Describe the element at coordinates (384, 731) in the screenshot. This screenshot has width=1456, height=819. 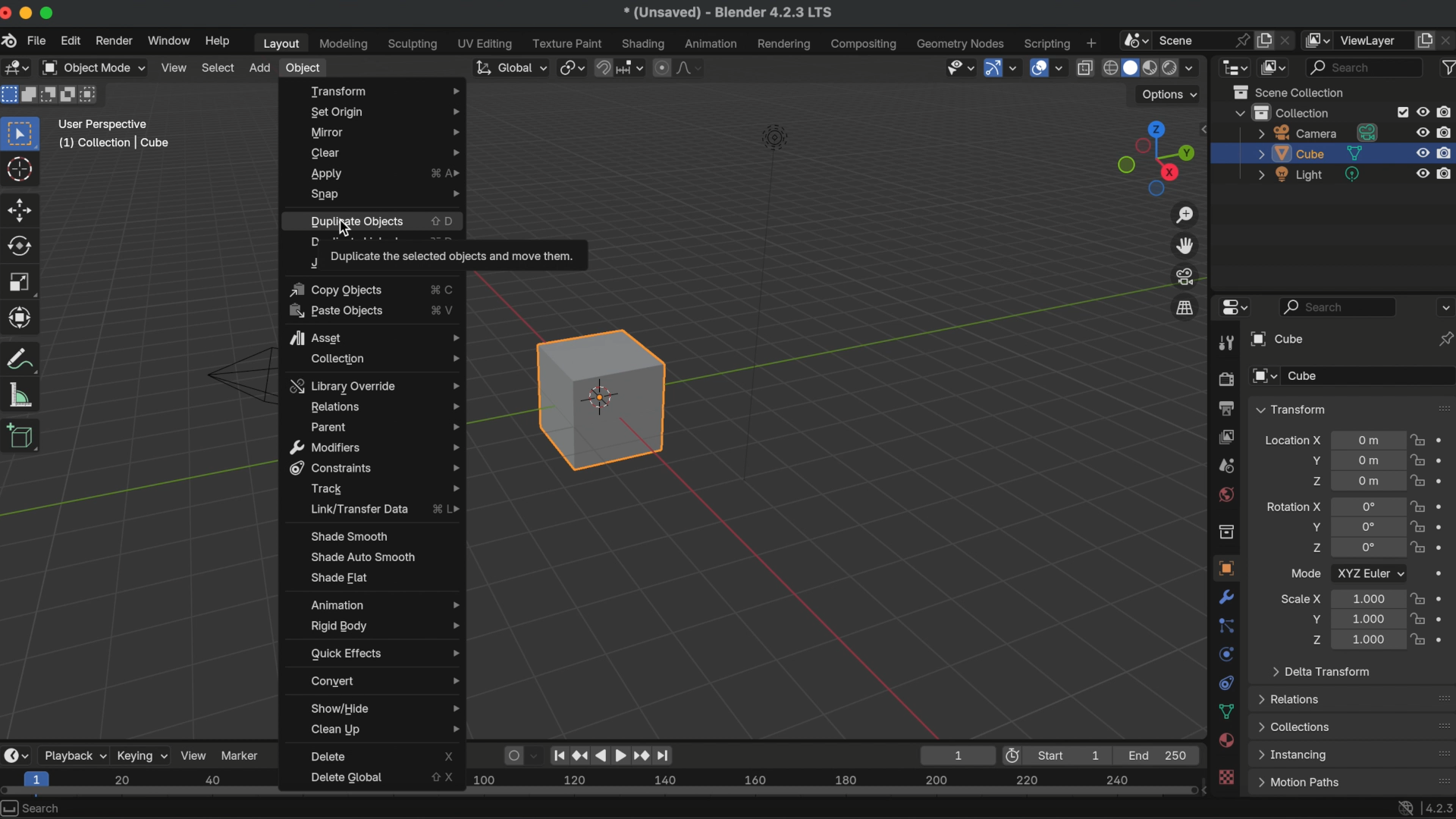
I see `clean up menu` at that location.